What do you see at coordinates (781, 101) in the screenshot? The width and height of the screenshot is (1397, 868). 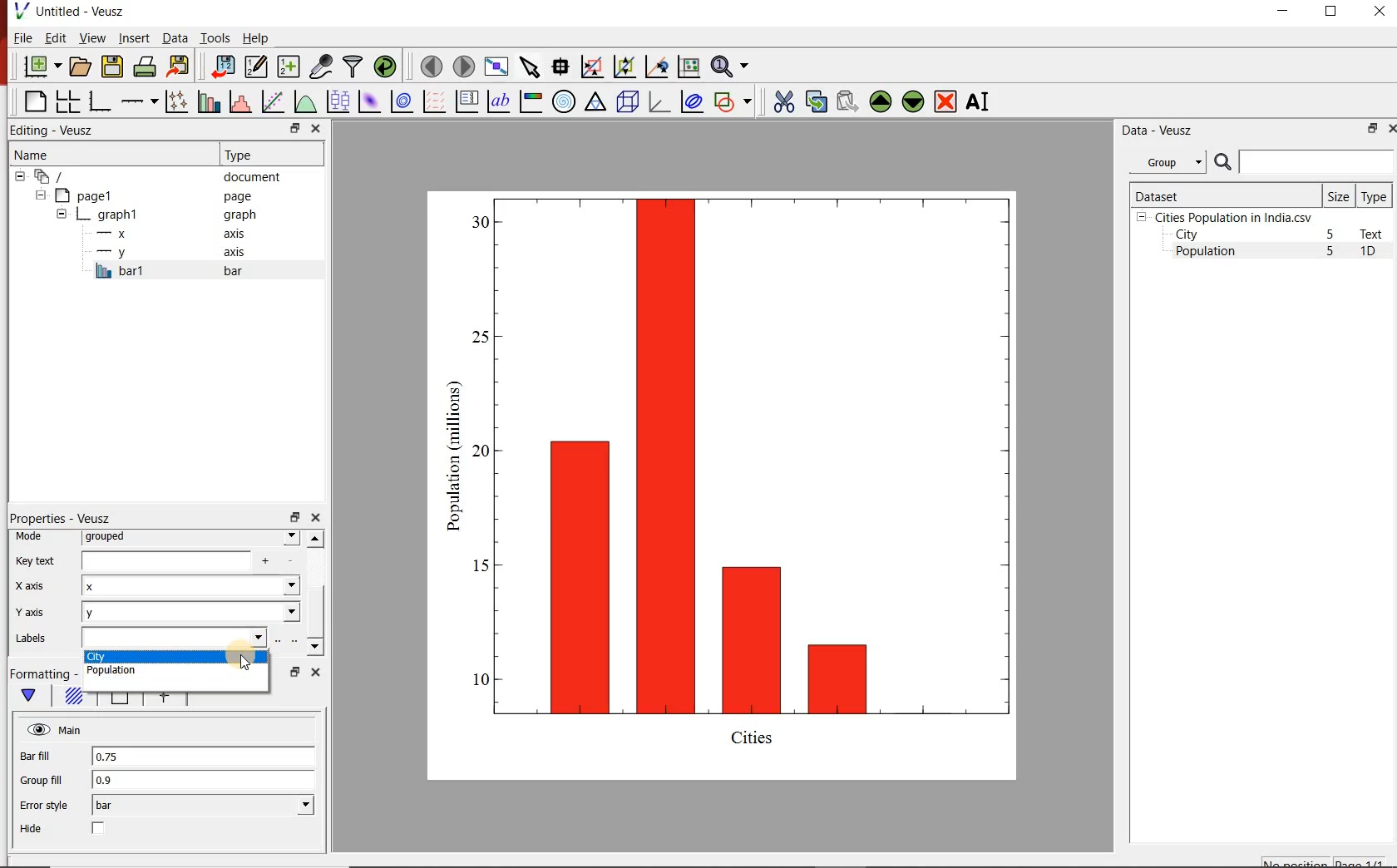 I see `cut the selected widget` at bounding box center [781, 101].